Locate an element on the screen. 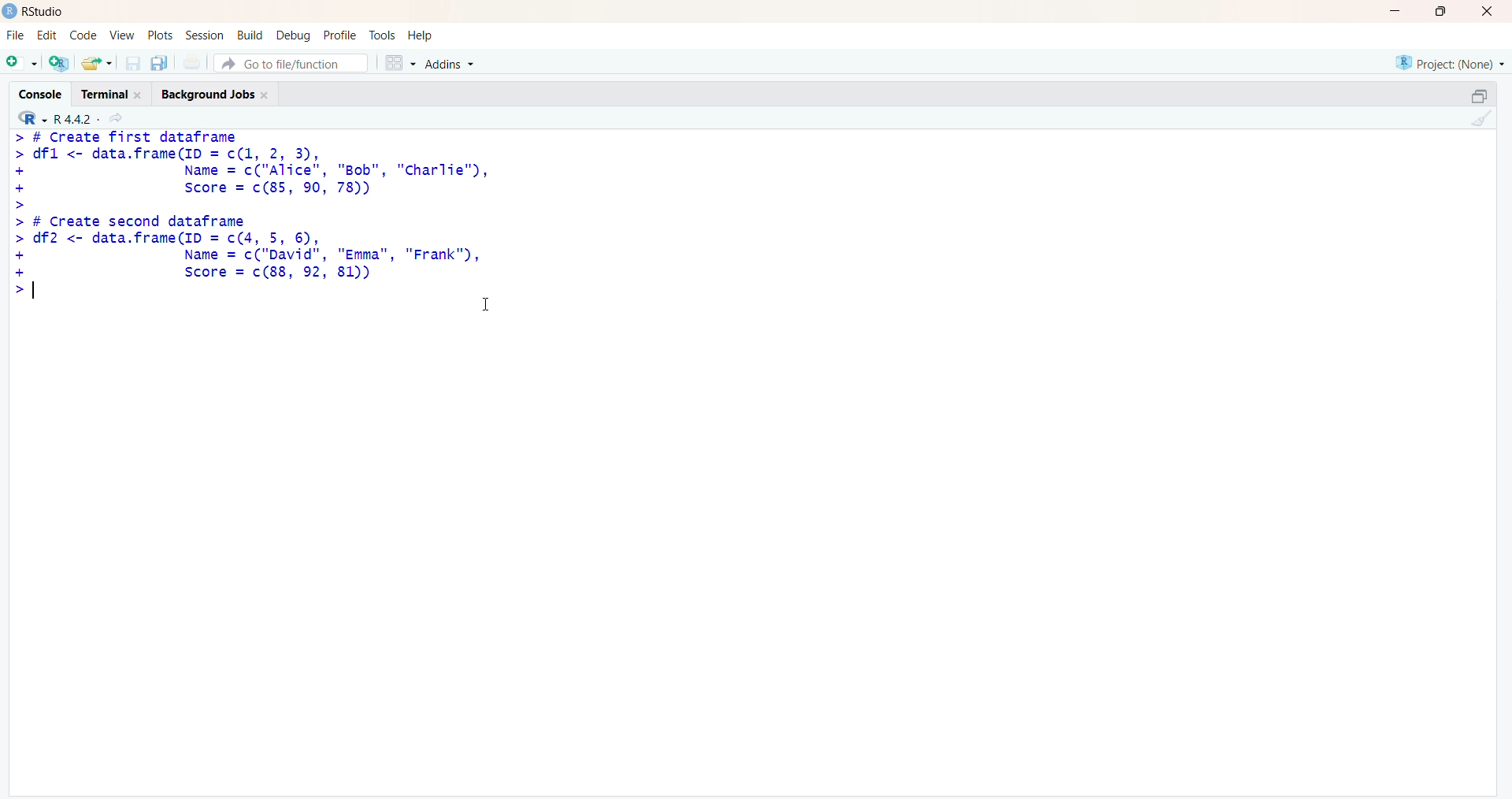 The image size is (1512, 799). Tools is located at coordinates (382, 35).